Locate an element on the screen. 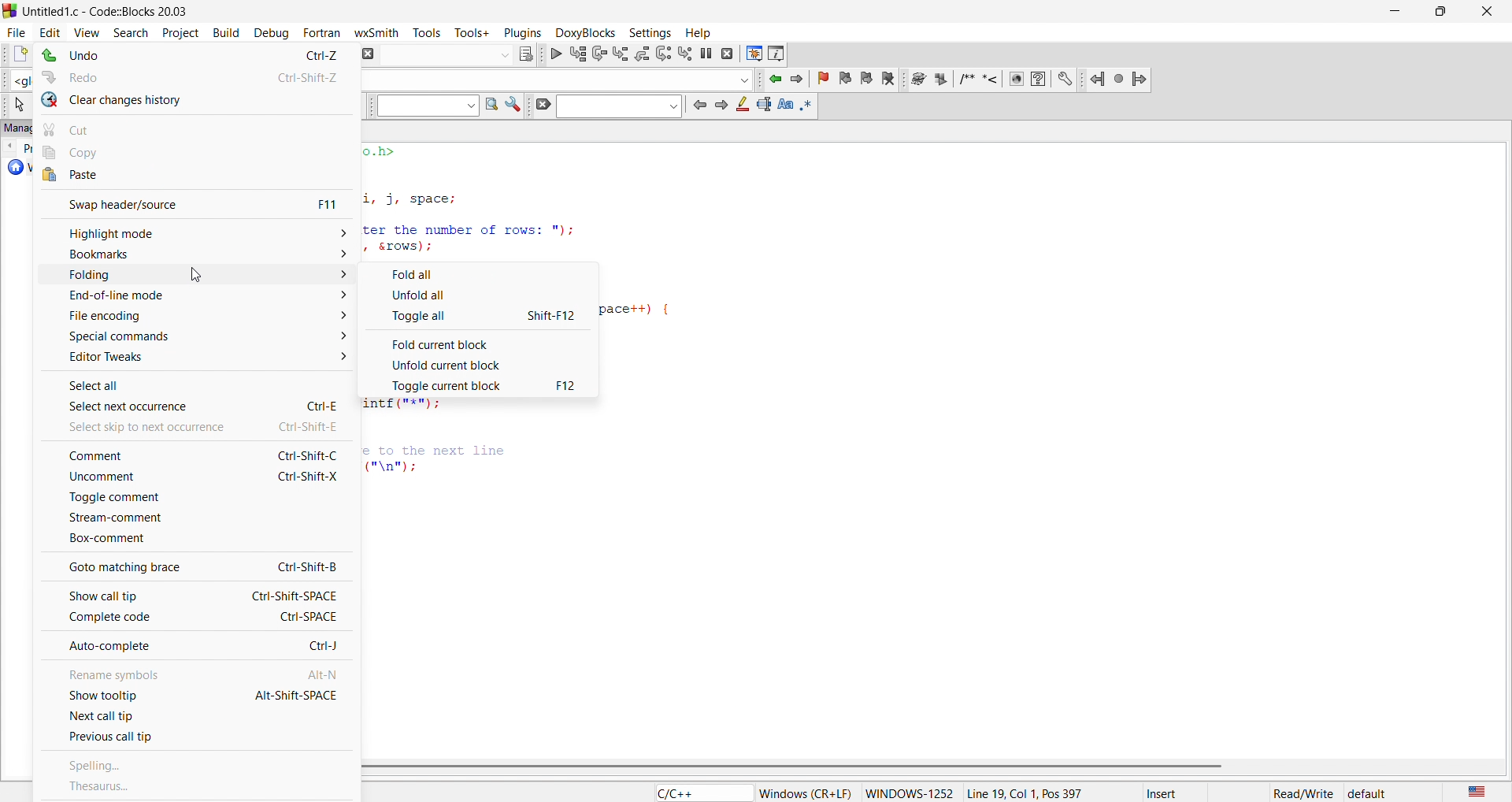 This screenshot has height=802, width=1512. settings is located at coordinates (513, 106).